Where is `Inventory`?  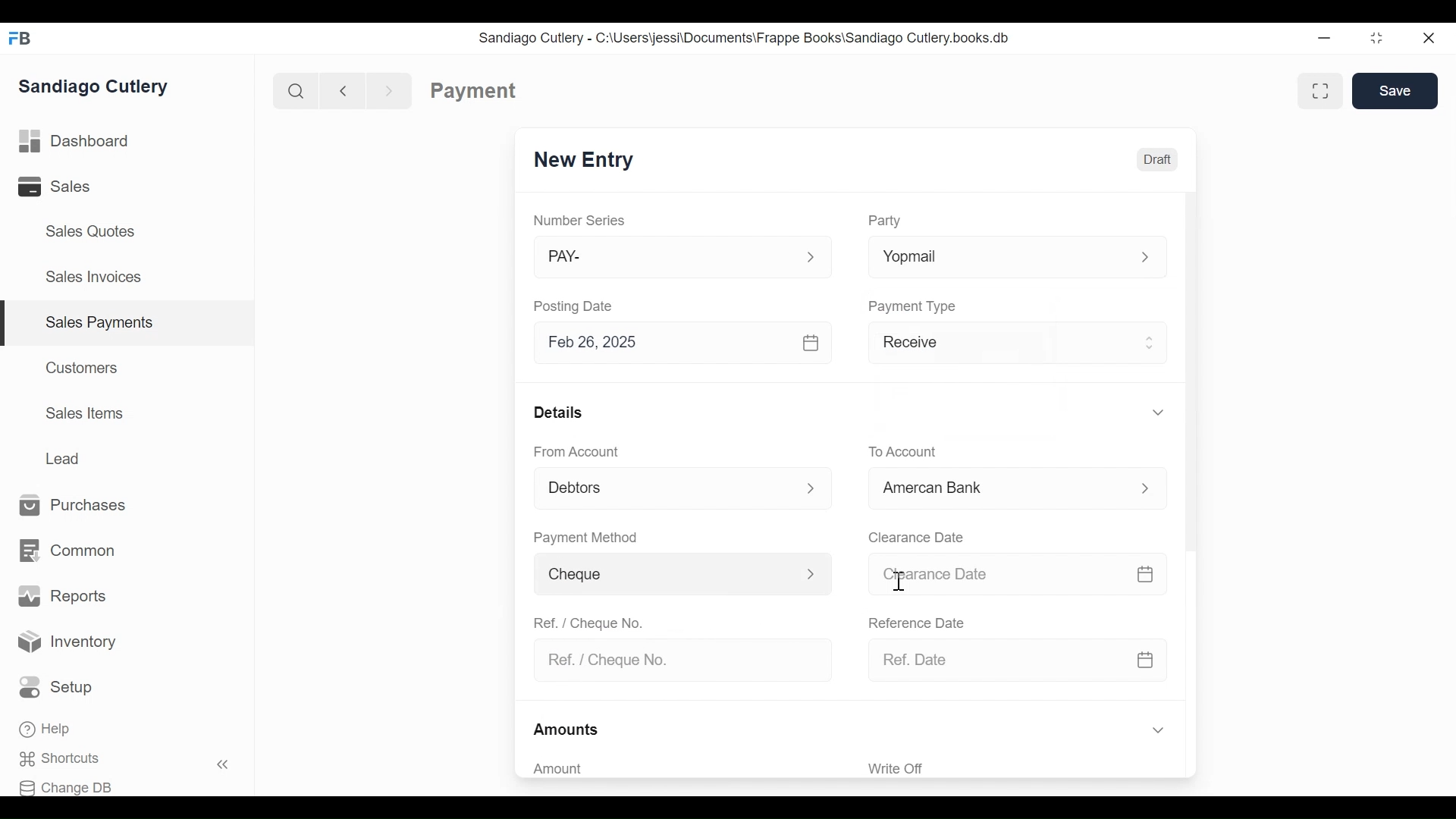
Inventory is located at coordinates (68, 642).